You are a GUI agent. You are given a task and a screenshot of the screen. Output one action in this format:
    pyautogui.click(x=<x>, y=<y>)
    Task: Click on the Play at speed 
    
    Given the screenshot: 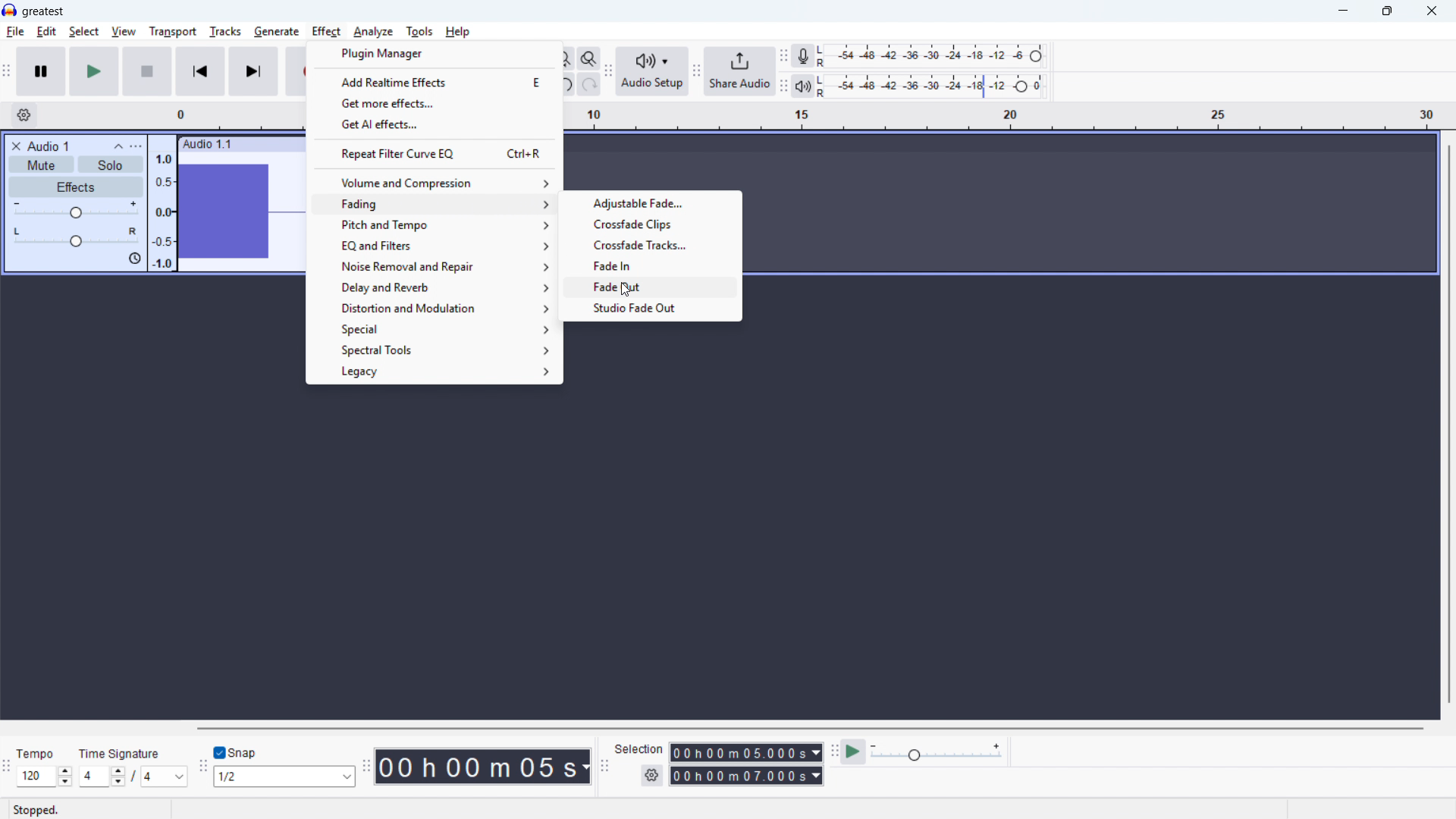 What is the action you would take?
    pyautogui.click(x=853, y=753)
    